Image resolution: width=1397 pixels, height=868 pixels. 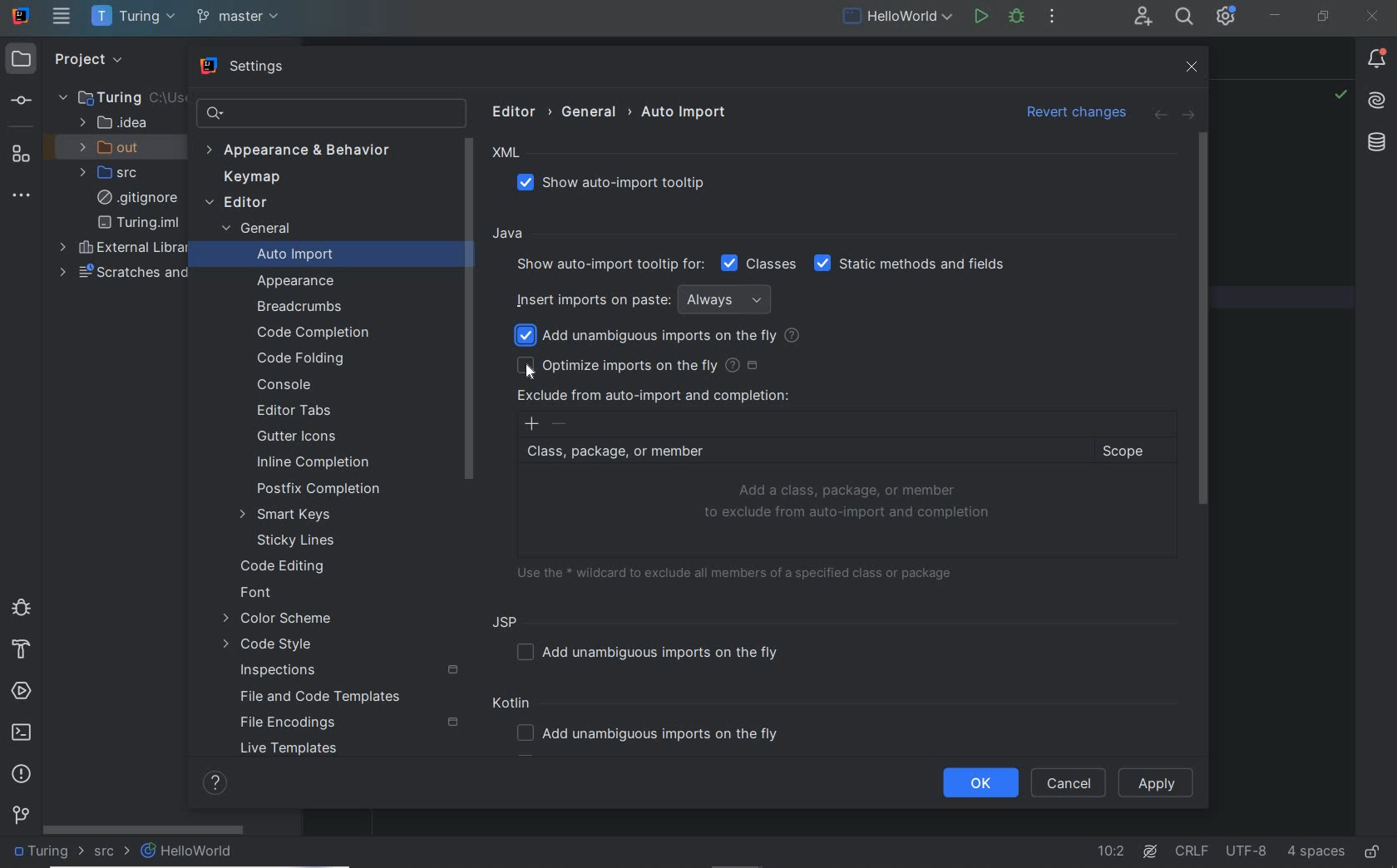 What do you see at coordinates (109, 96) in the screenshot?
I see `Turing(project folder)` at bounding box center [109, 96].